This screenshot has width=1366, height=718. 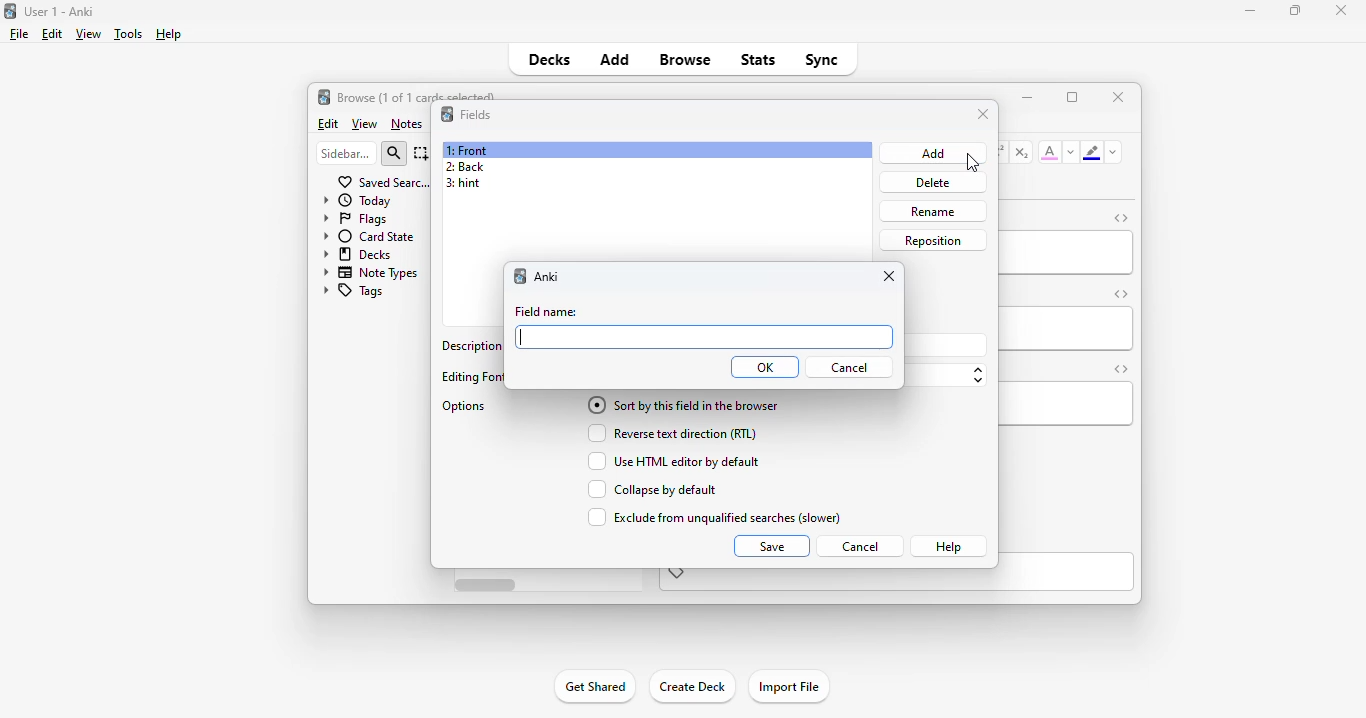 What do you see at coordinates (353, 218) in the screenshot?
I see `flags` at bounding box center [353, 218].